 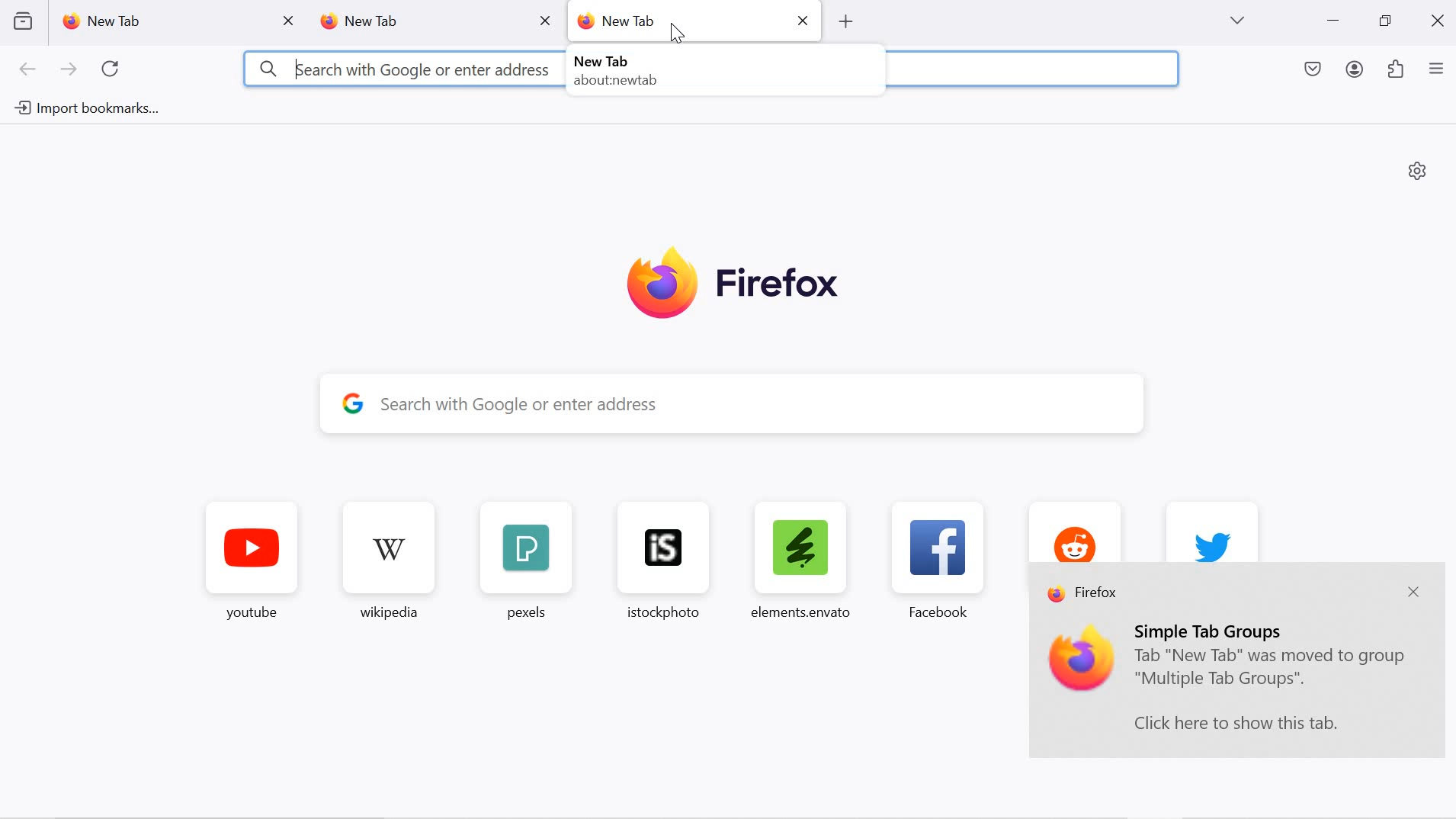 What do you see at coordinates (1071, 530) in the screenshot?
I see `reddit favorite` at bounding box center [1071, 530].